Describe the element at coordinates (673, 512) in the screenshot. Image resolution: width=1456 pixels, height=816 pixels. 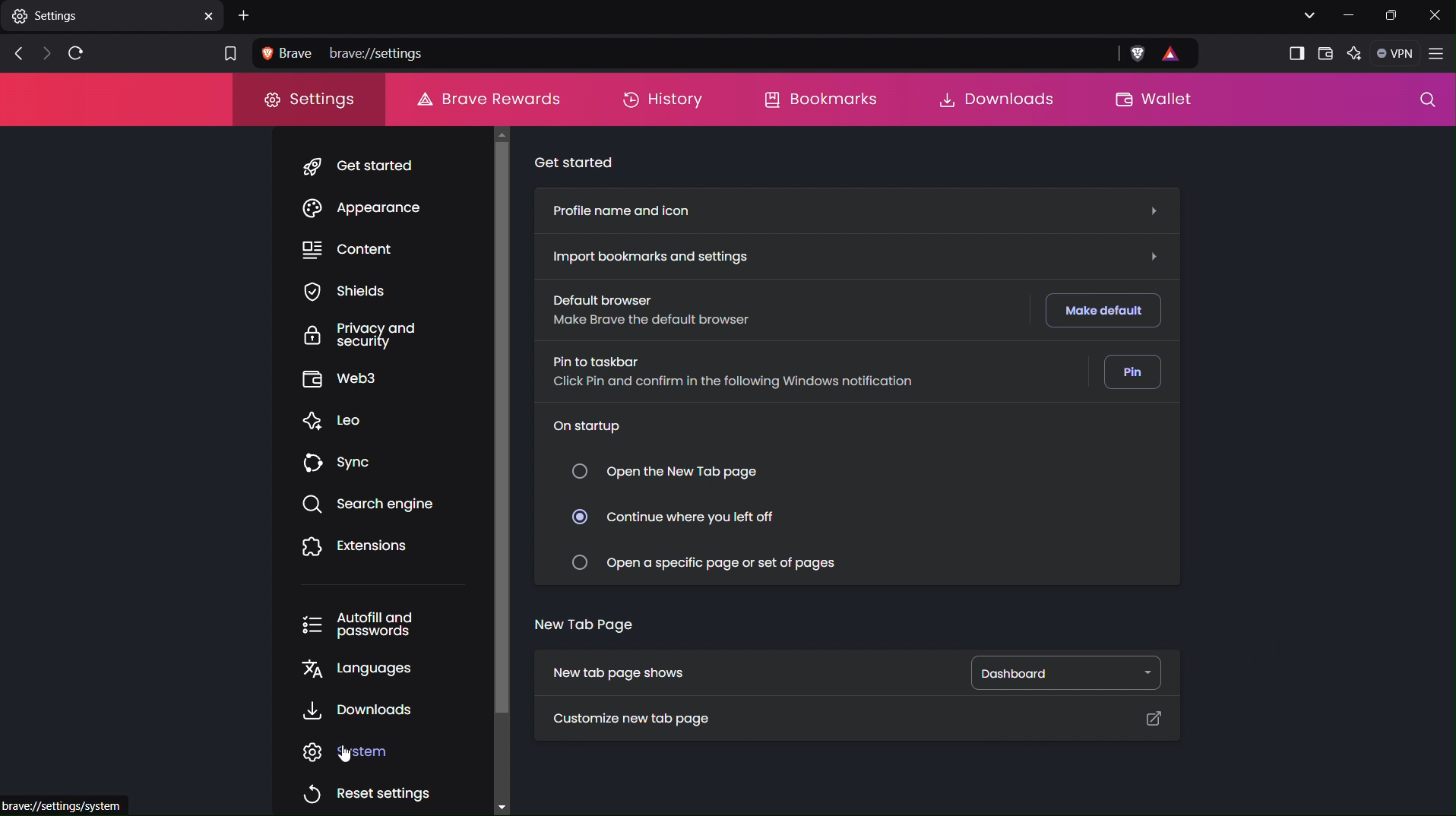
I see `Continue where you left off` at that location.